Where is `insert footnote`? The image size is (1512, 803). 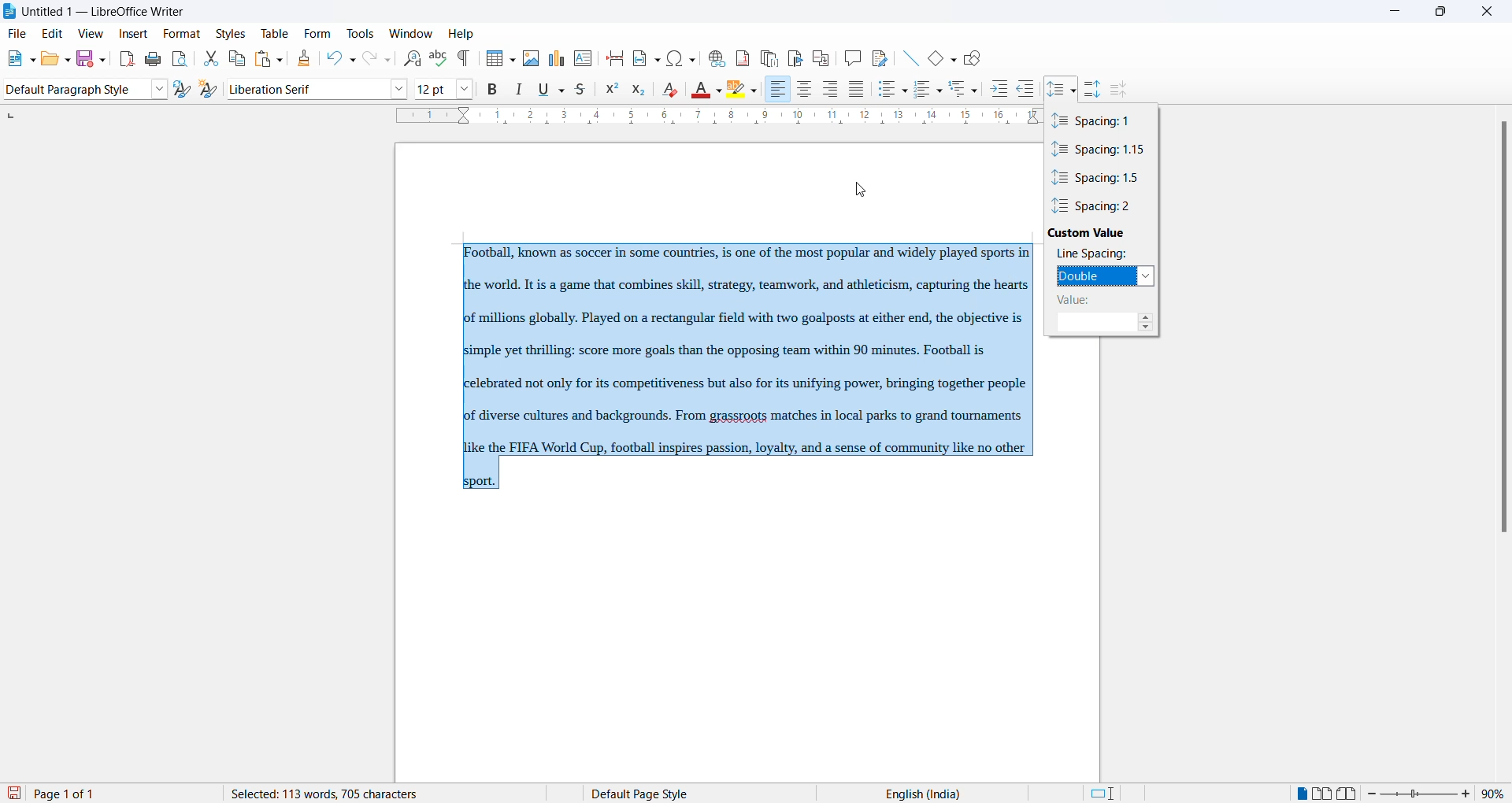 insert footnote is located at coordinates (743, 60).